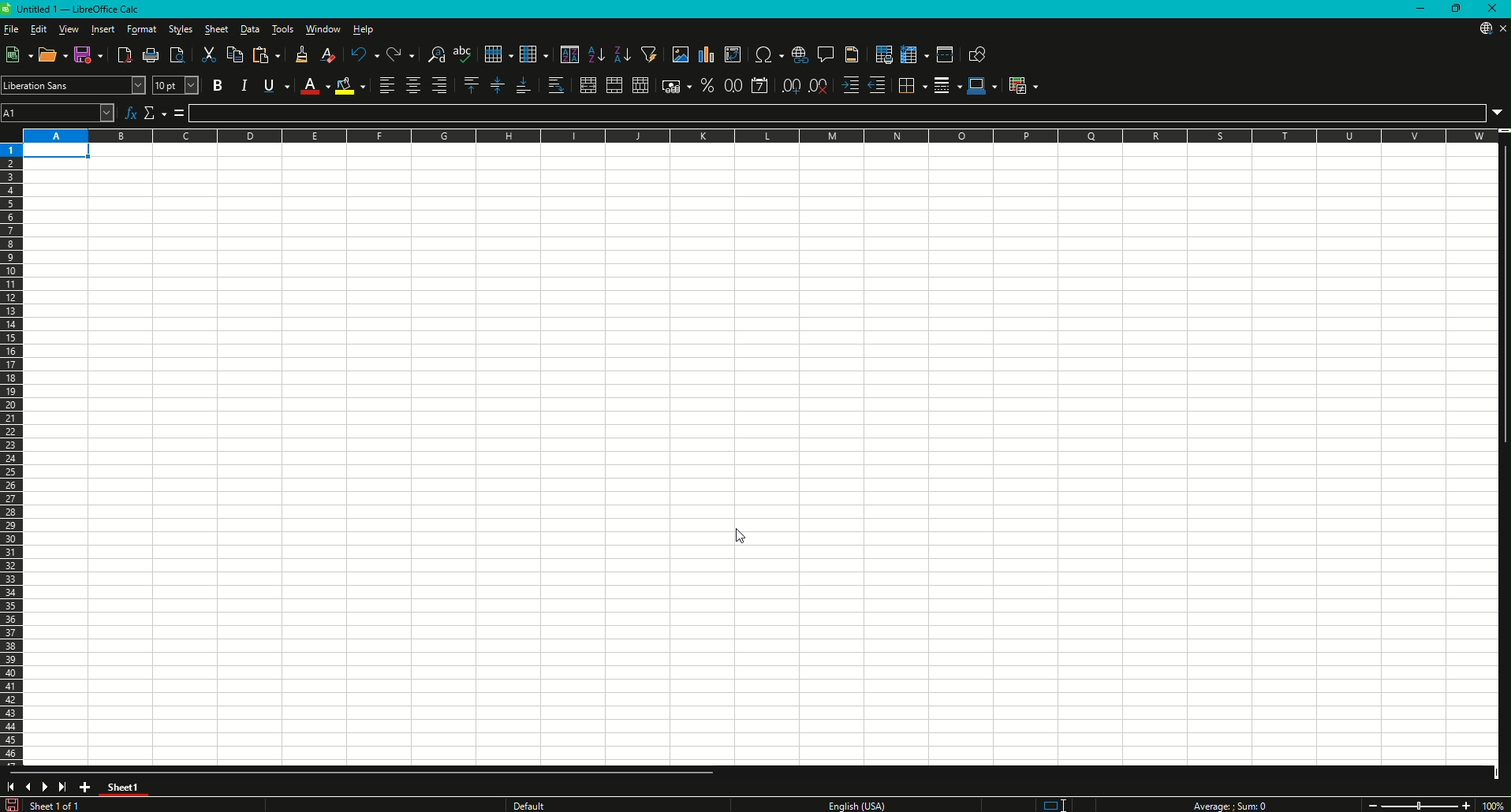 The height and width of the screenshot is (812, 1511). What do you see at coordinates (851, 85) in the screenshot?
I see `Increase Indent` at bounding box center [851, 85].